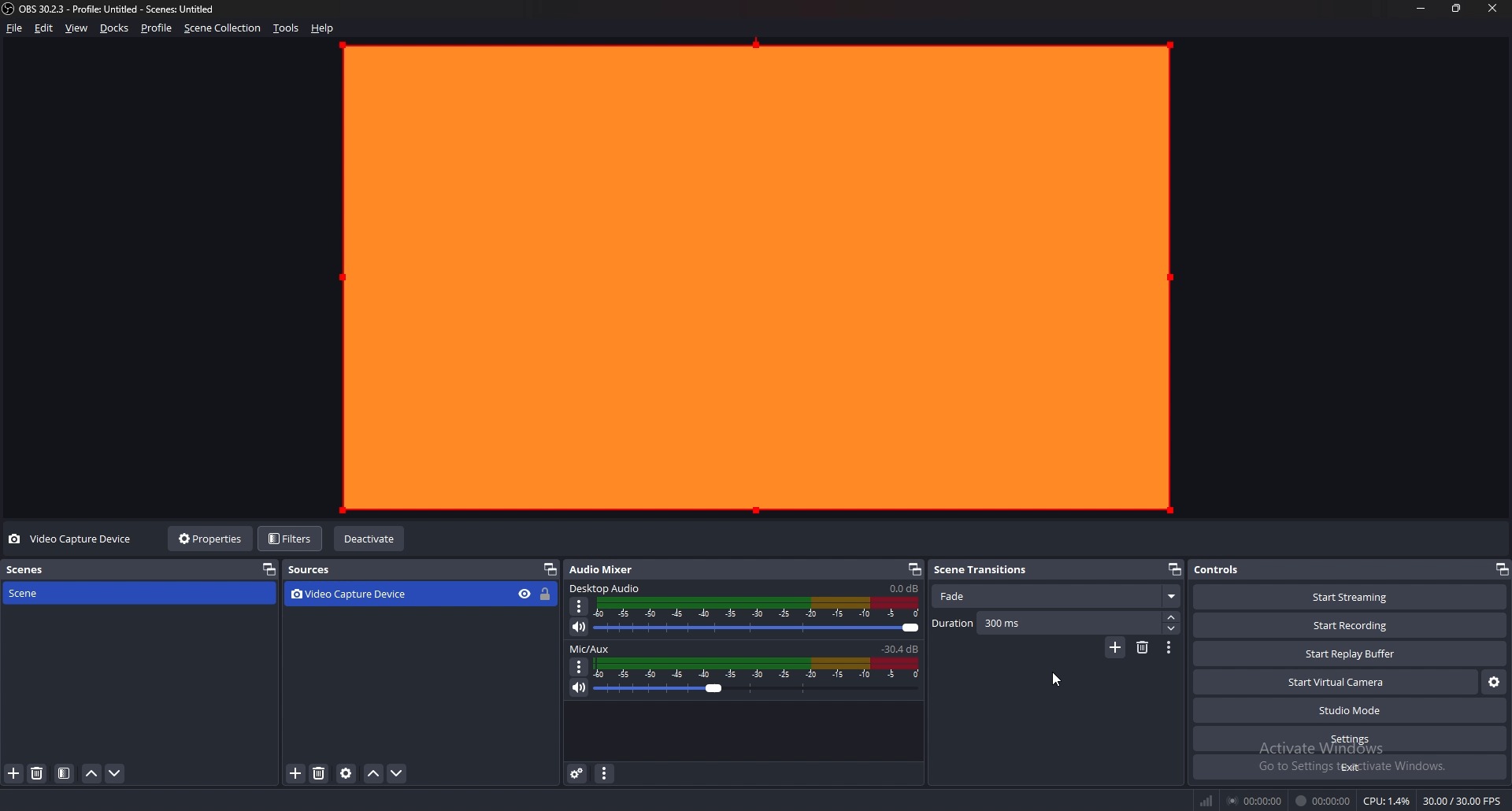  I want to click on resize, so click(1457, 9).